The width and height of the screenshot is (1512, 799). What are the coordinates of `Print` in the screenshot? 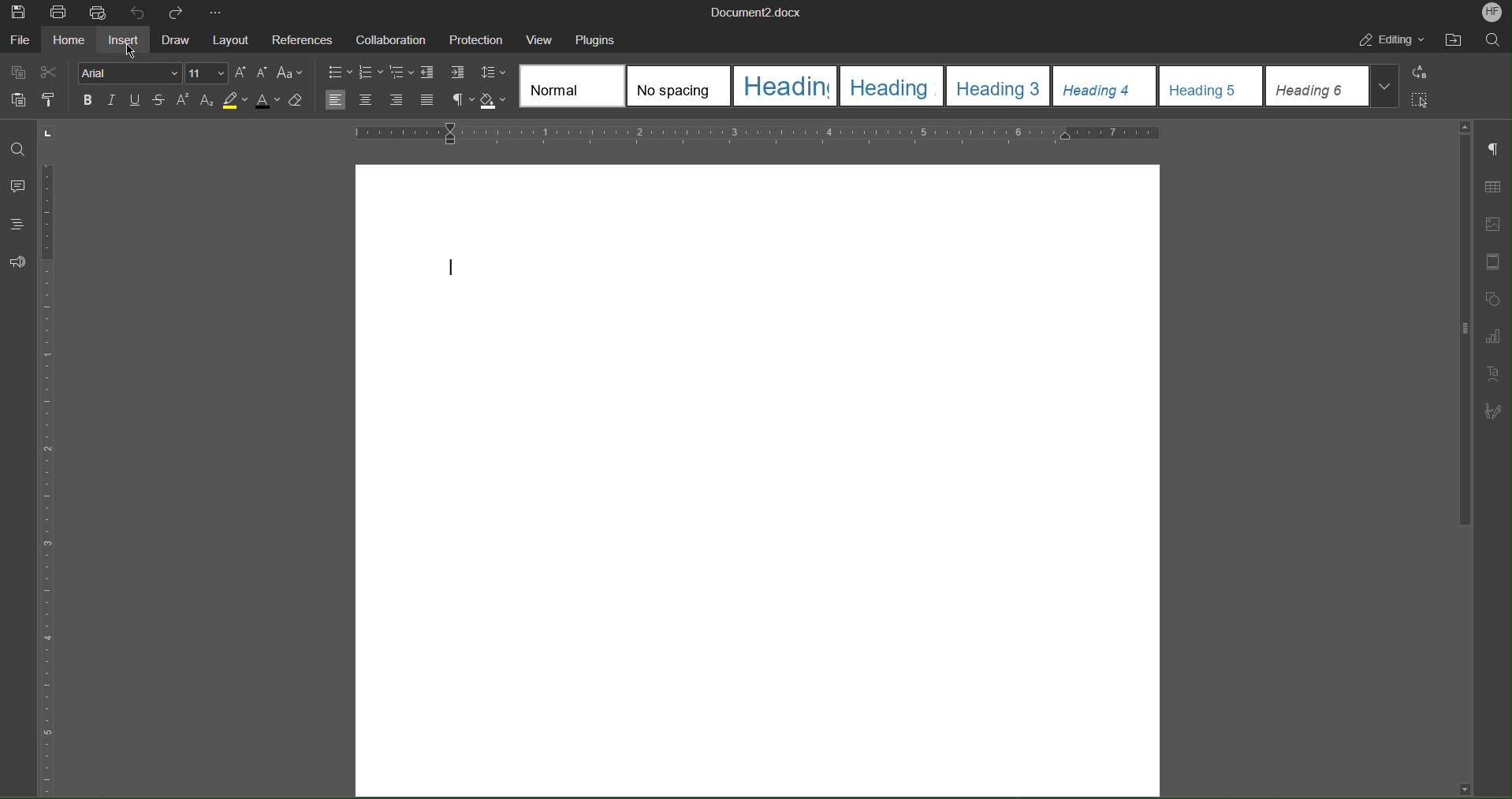 It's located at (60, 11).